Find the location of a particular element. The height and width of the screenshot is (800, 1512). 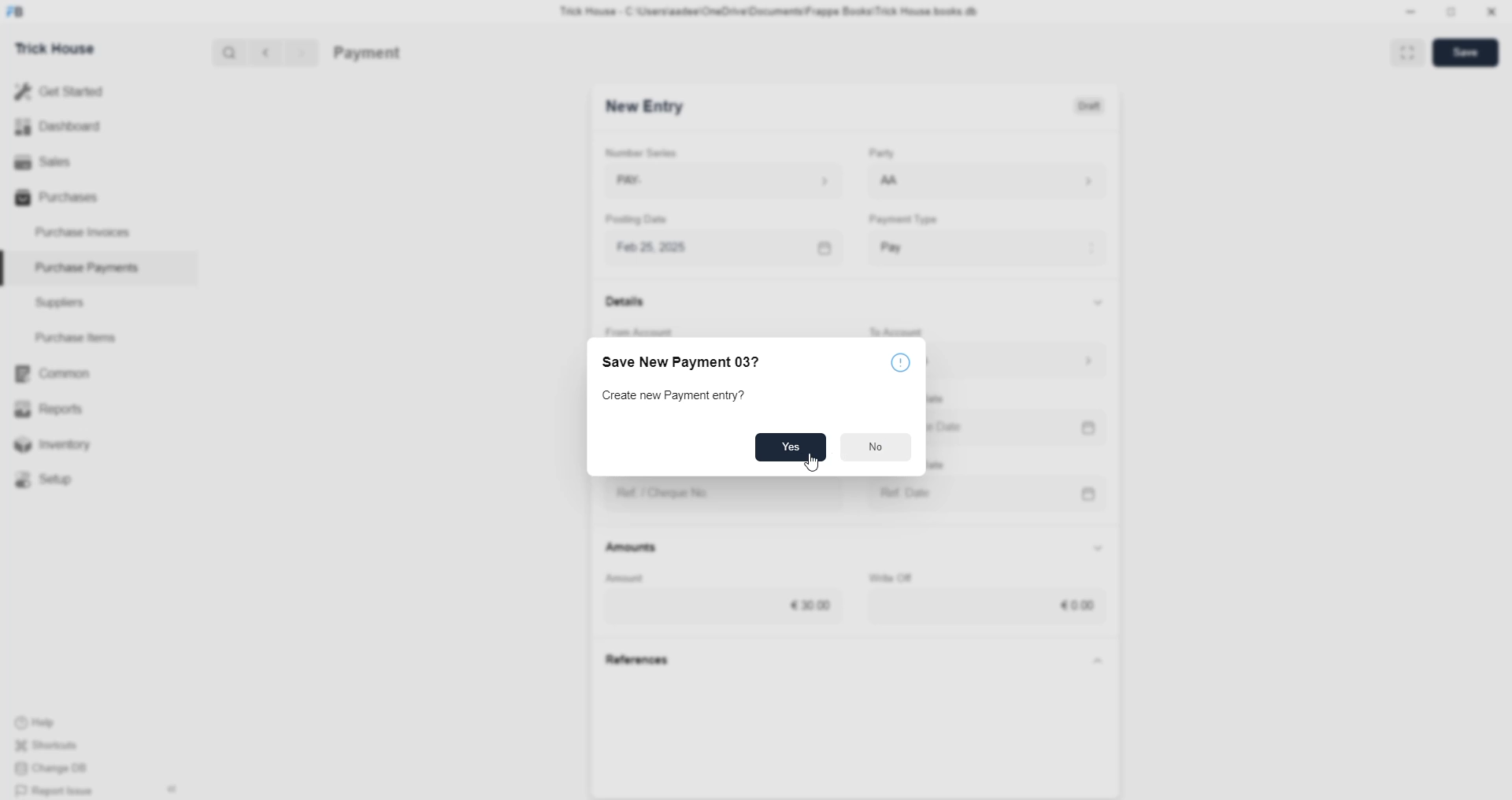

Write Off is located at coordinates (905, 576).